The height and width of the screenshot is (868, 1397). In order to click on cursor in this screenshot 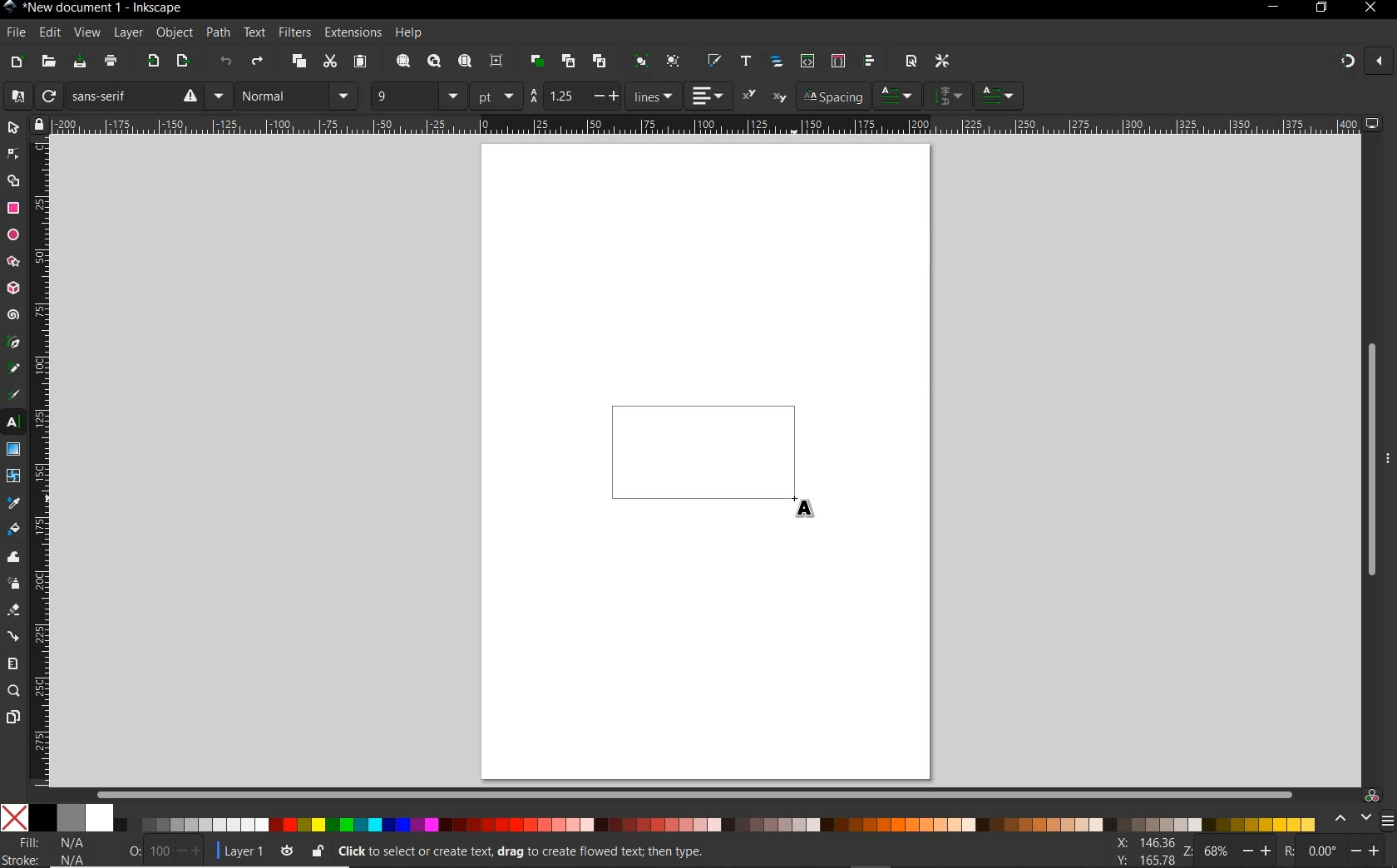, I will do `click(807, 507)`.